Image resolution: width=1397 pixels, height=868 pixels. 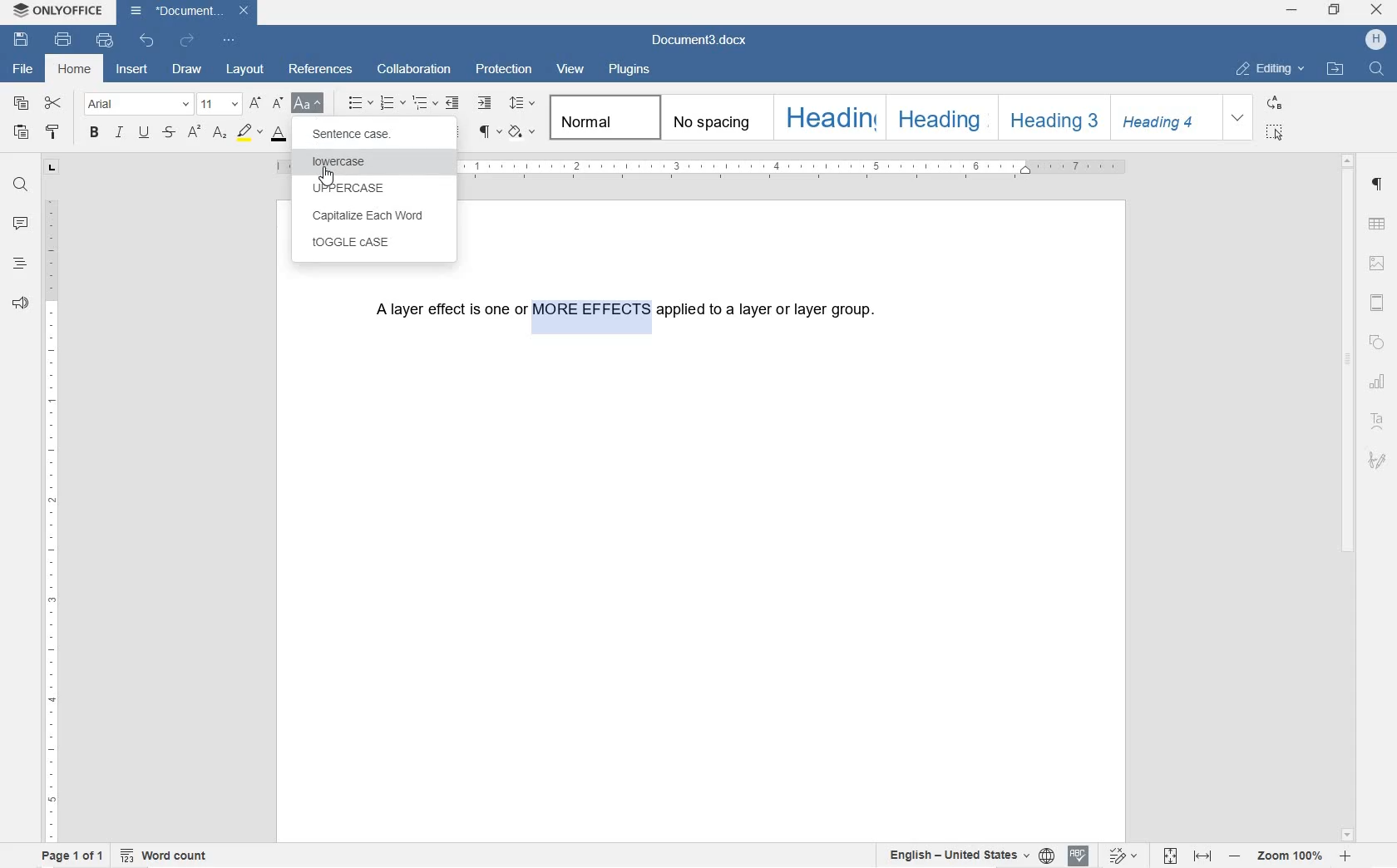 What do you see at coordinates (1191, 857) in the screenshot?
I see `FIT TO PAGE/WIDTH` at bounding box center [1191, 857].